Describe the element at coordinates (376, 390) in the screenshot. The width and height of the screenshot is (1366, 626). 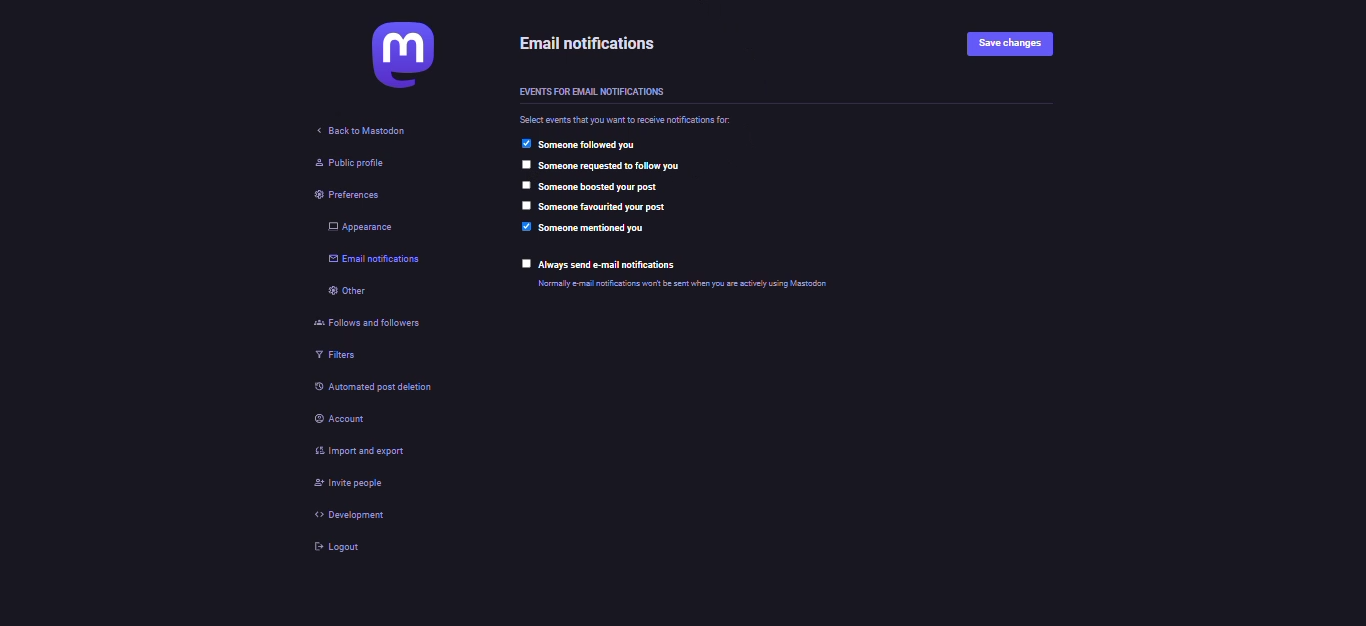
I see `automated post deletion` at that location.